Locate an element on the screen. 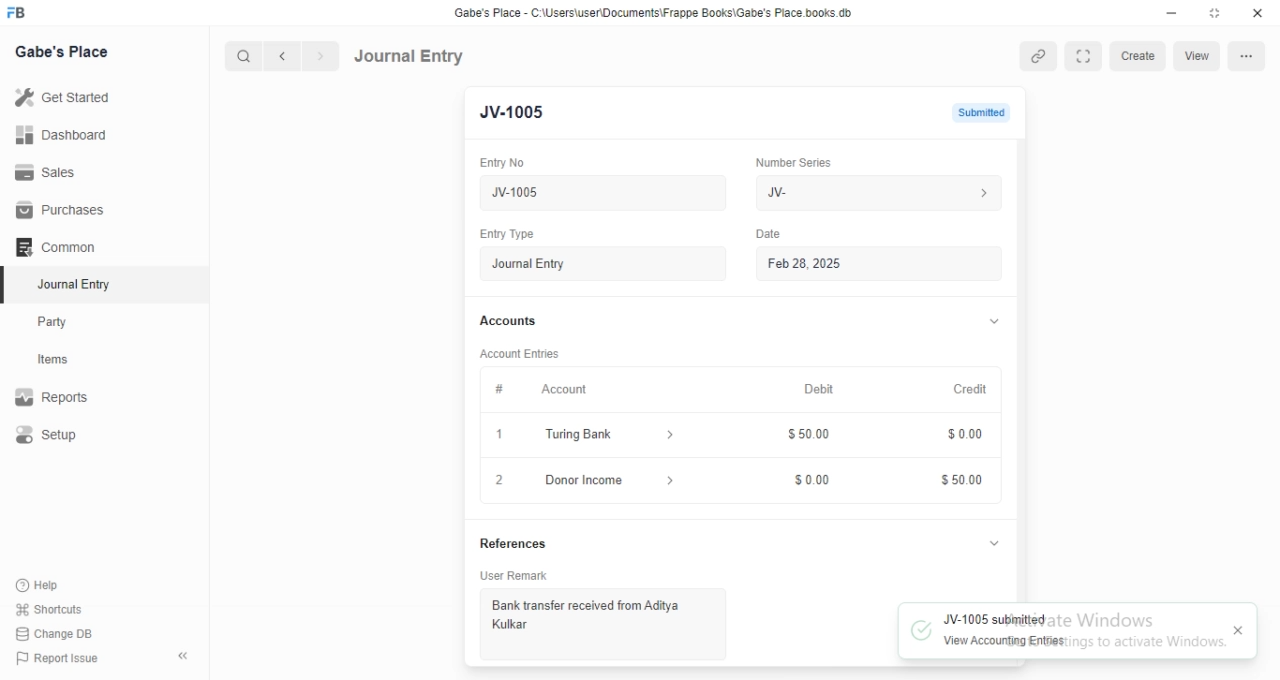 The image size is (1280, 680). 7 View Accounting Entfies: 1 < 10 activate Wind. is located at coordinates (1021, 643).